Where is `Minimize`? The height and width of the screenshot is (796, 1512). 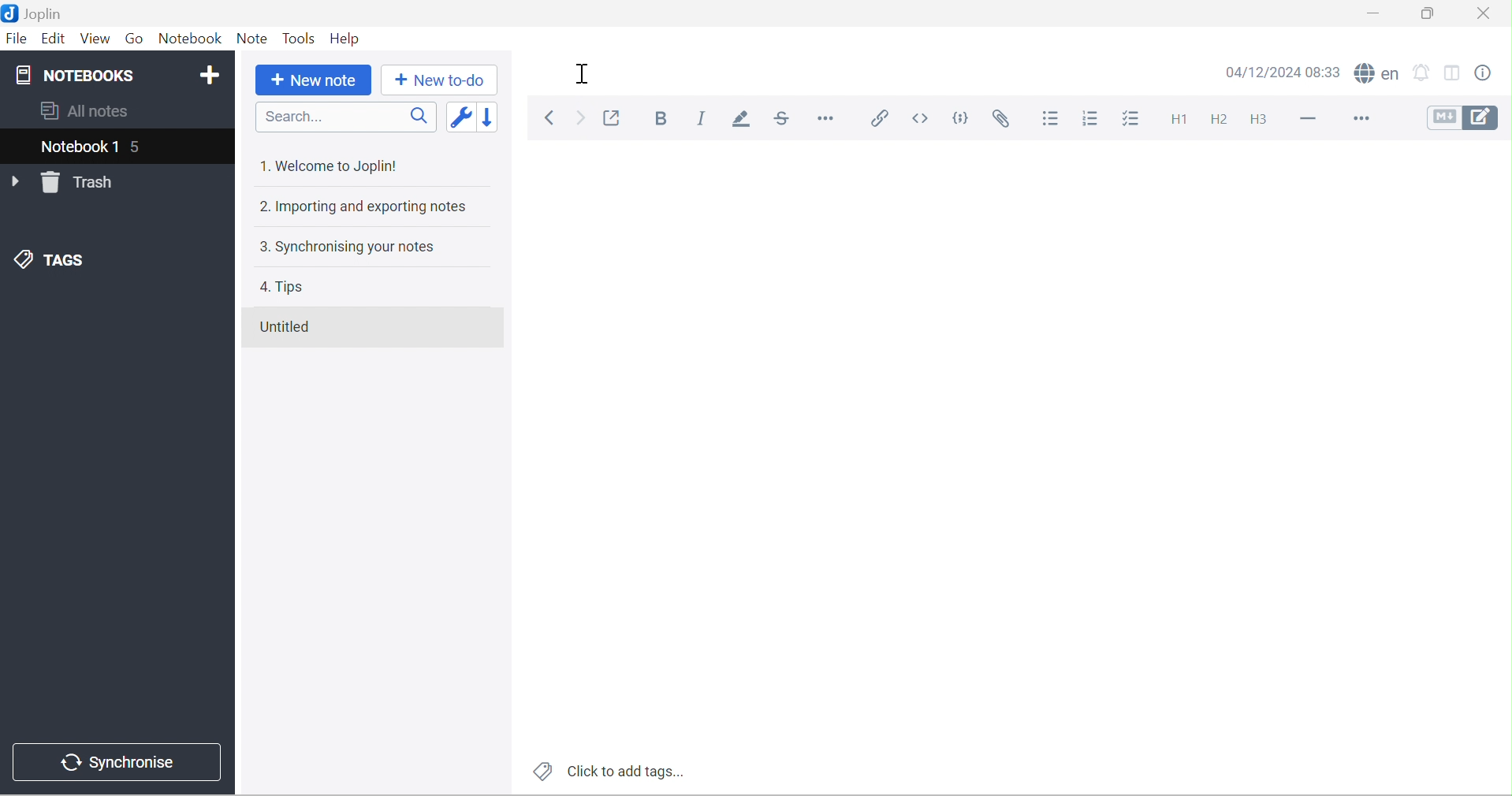
Minimize is located at coordinates (1371, 15).